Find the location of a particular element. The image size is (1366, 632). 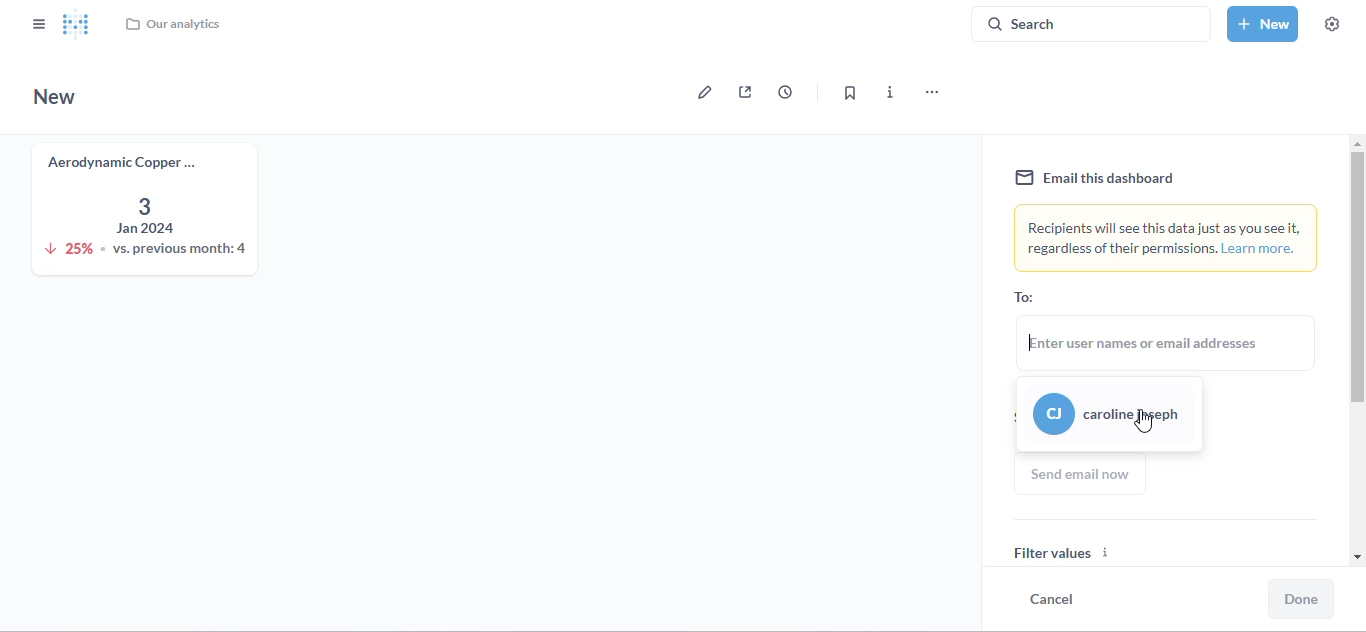

more info is located at coordinates (891, 92).